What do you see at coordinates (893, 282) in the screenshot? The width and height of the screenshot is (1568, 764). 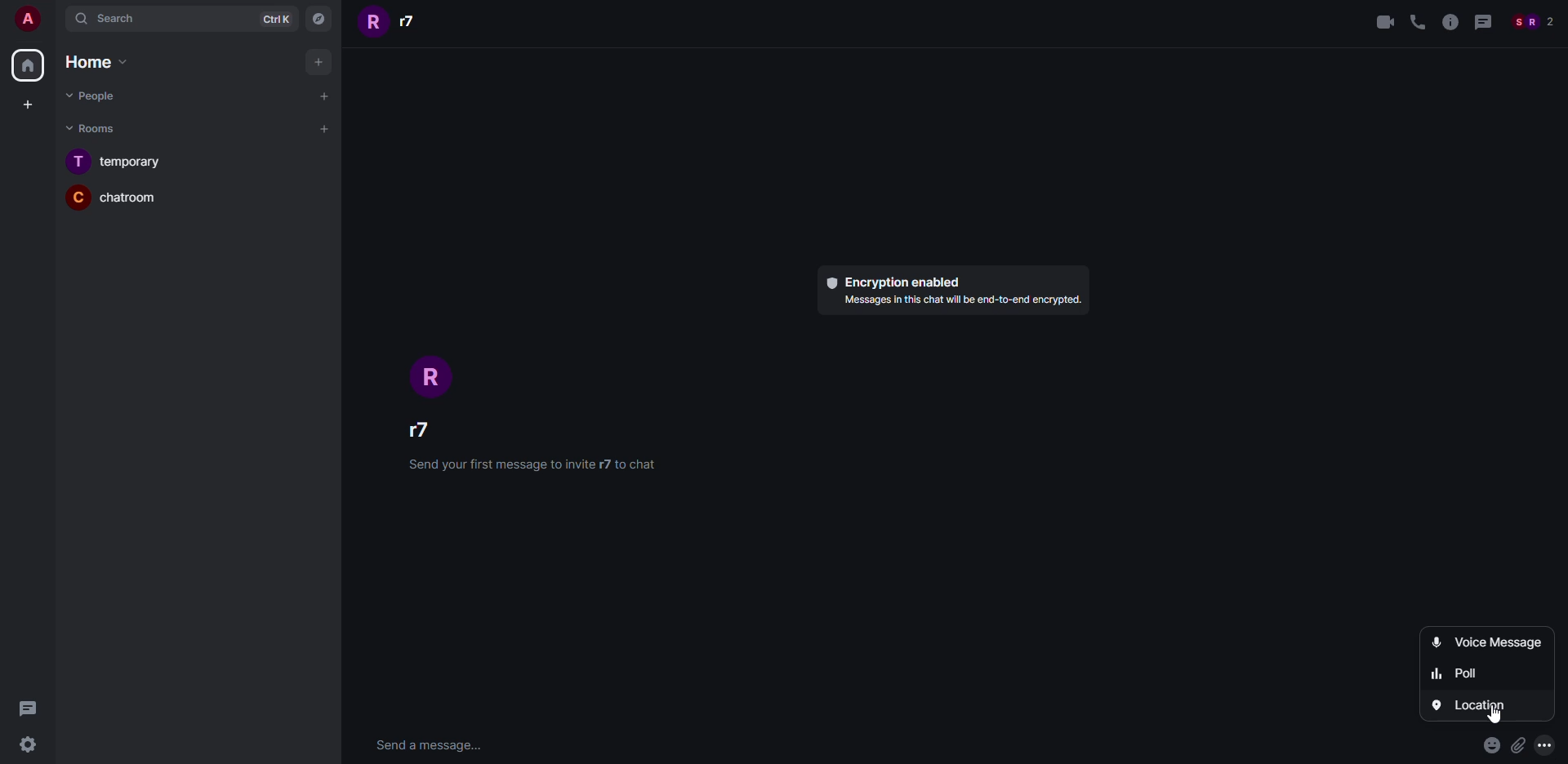 I see `Encryption enabled` at bounding box center [893, 282].